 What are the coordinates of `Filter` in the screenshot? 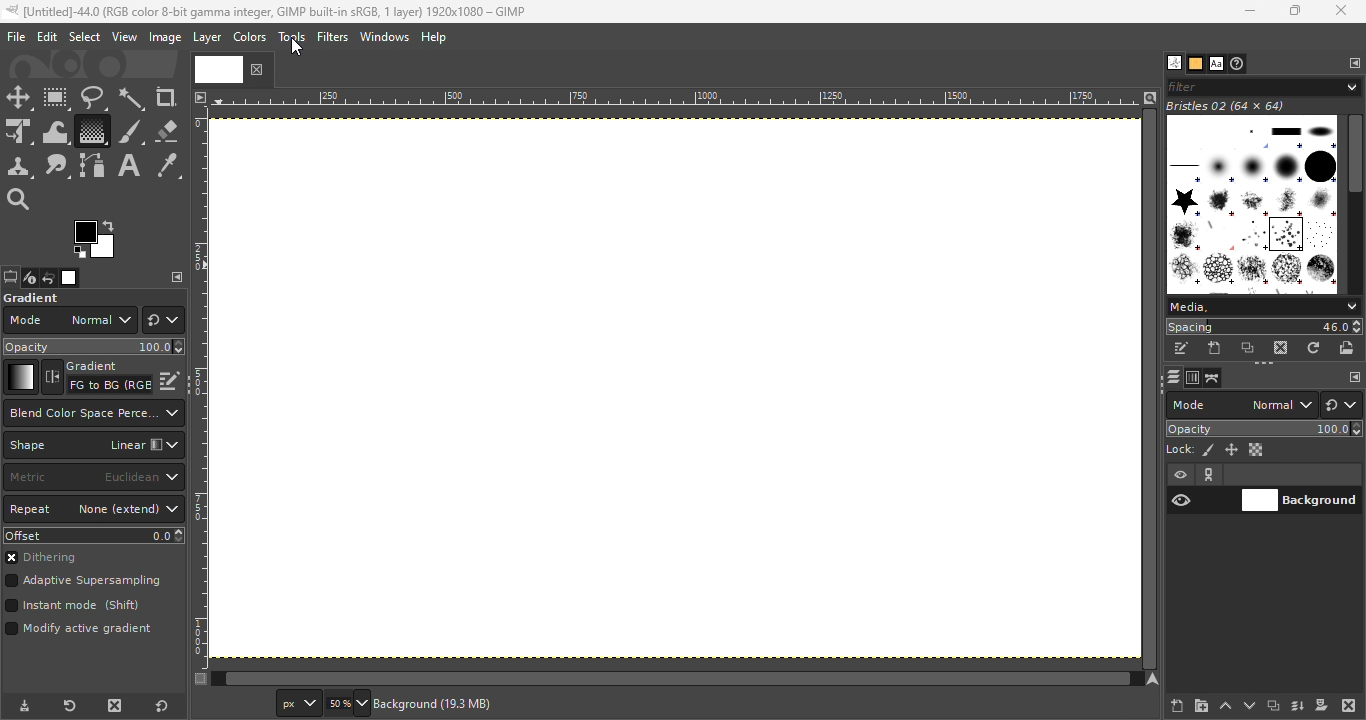 It's located at (1264, 86).